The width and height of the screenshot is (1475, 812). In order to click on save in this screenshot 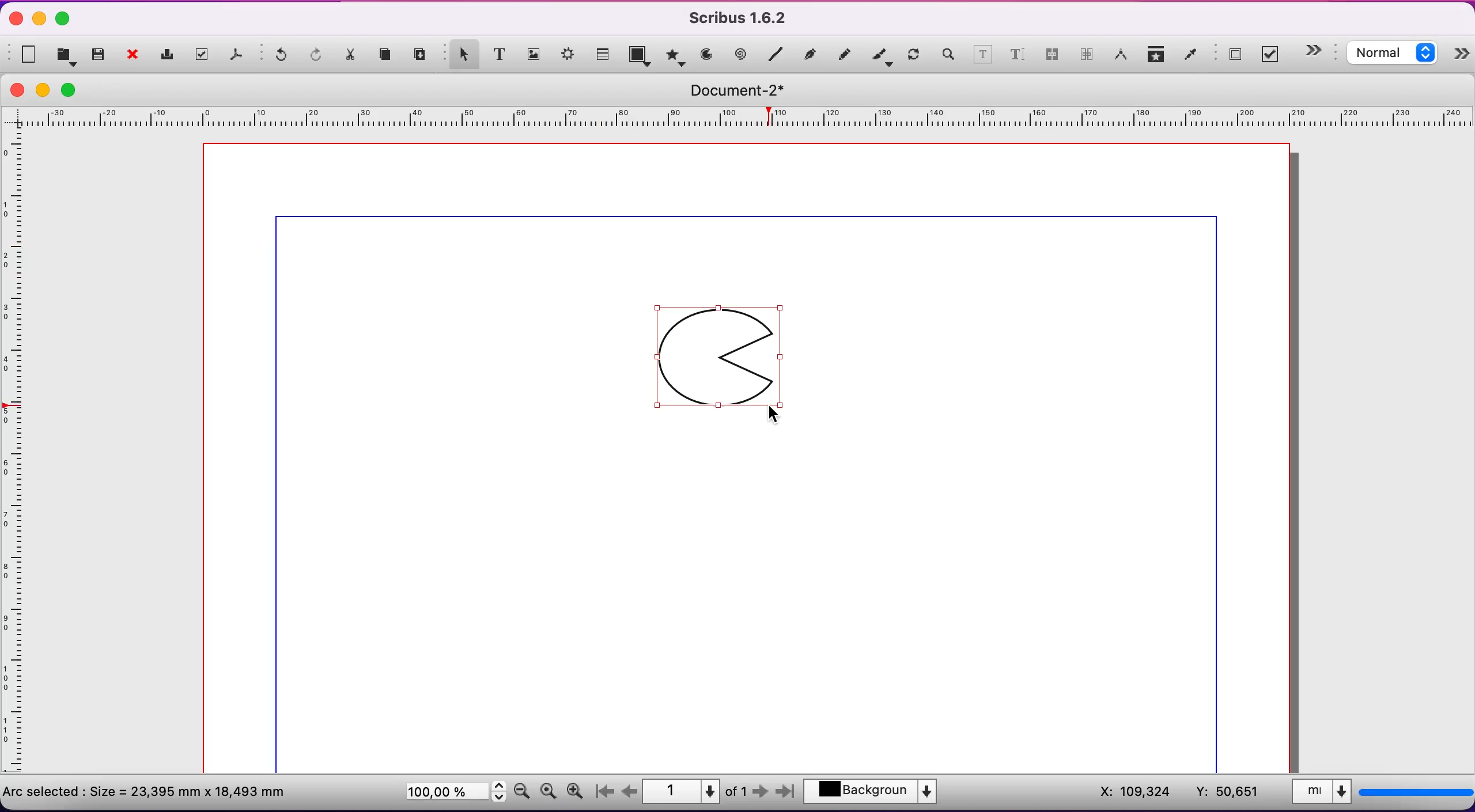, I will do `click(99, 55)`.